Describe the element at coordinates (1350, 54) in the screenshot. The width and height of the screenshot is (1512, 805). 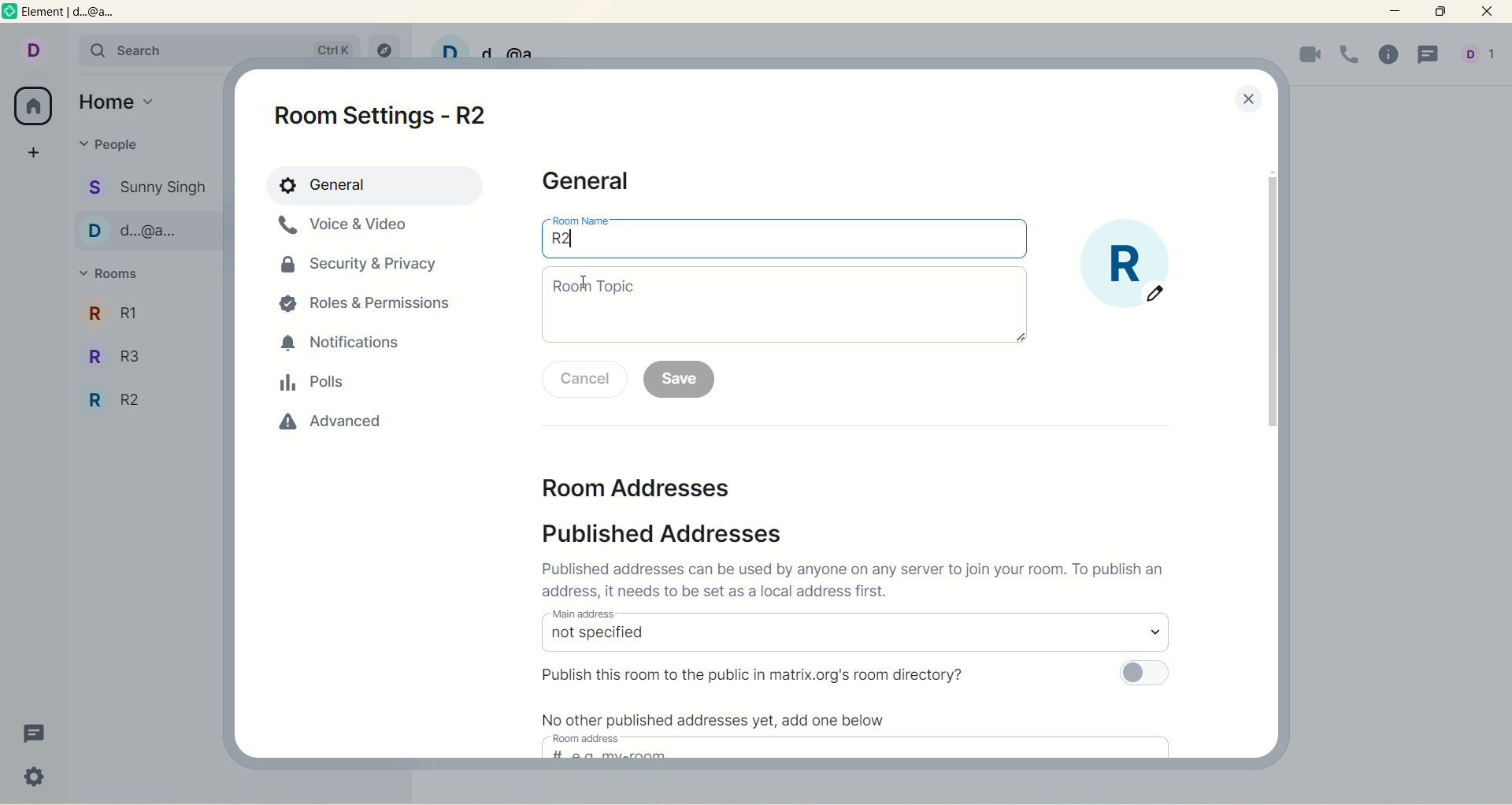
I see `voice call` at that location.